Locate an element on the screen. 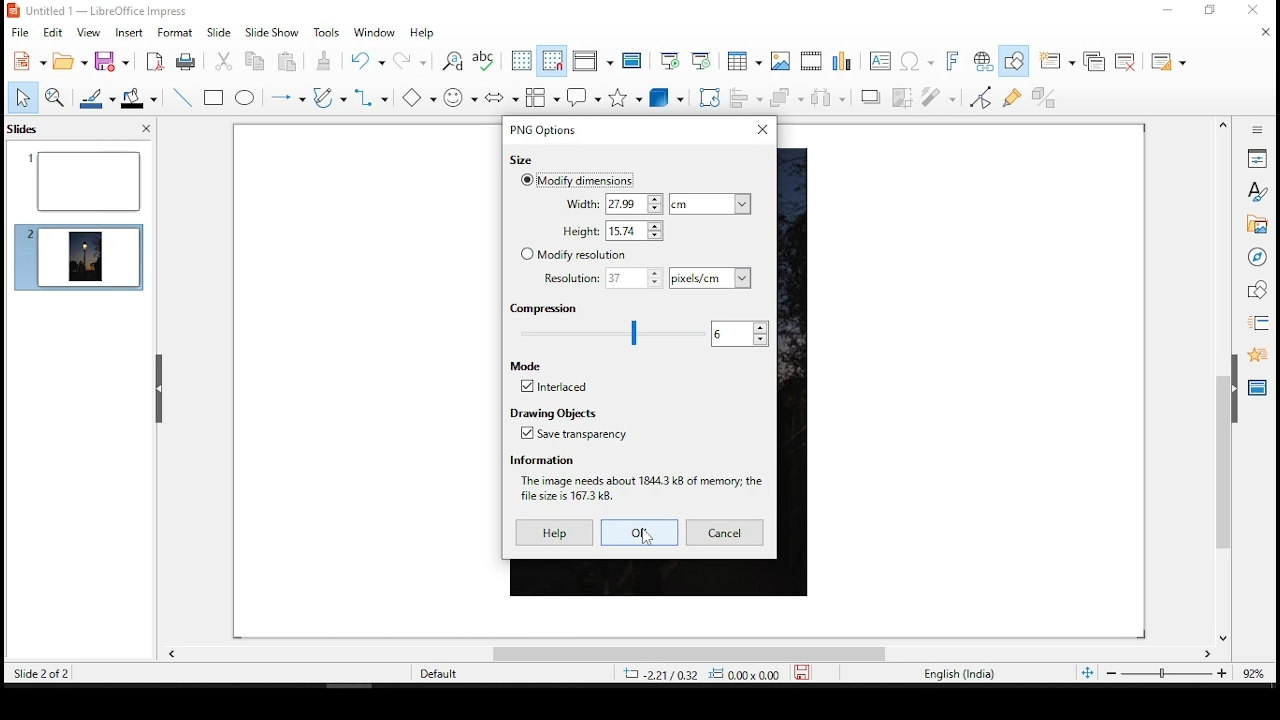 The image size is (1280, 720). ellipse is located at coordinates (246, 98).